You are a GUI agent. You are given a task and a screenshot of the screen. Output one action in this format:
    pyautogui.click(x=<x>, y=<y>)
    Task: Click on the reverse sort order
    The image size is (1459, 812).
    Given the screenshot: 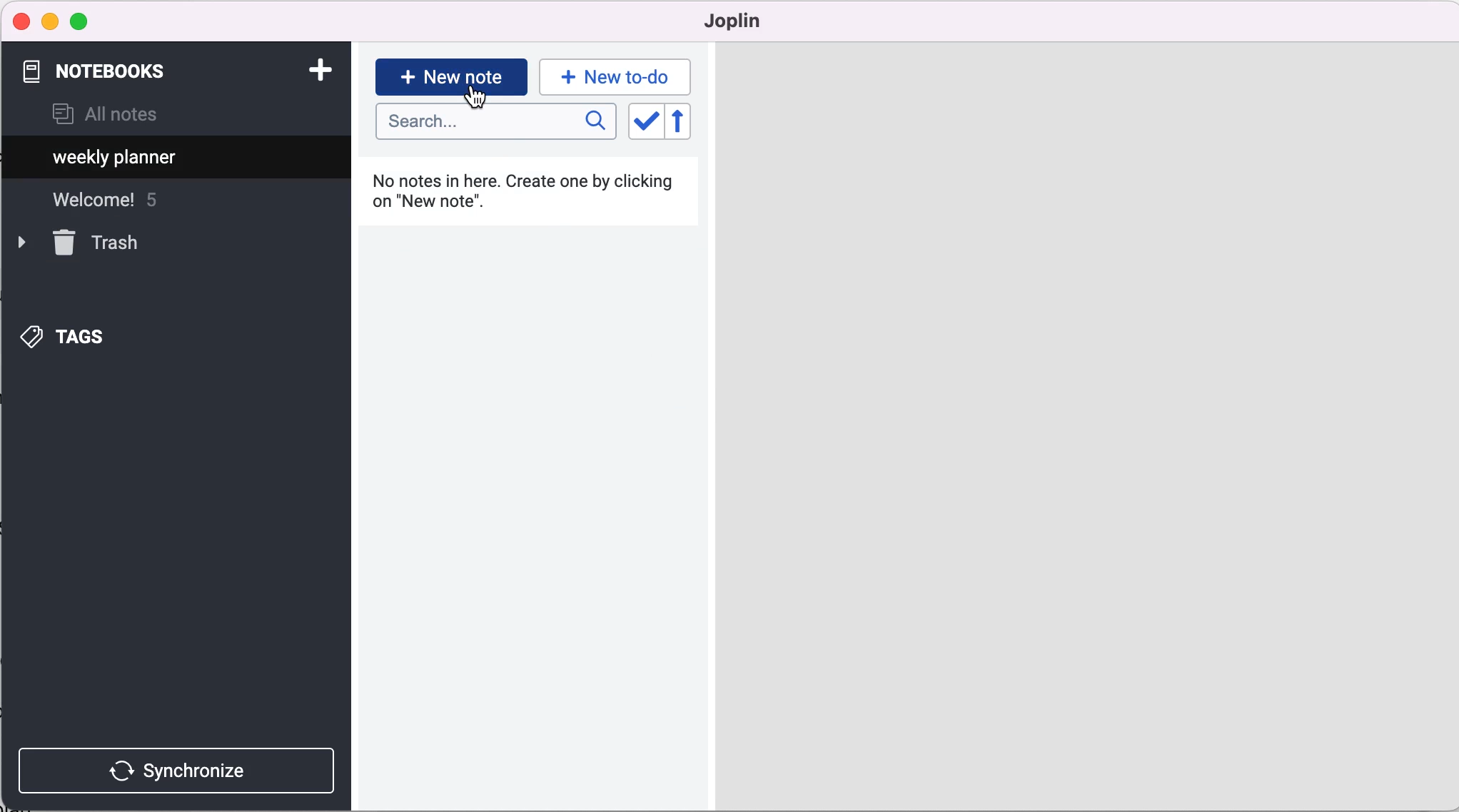 What is the action you would take?
    pyautogui.click(x=690, y=124)
    